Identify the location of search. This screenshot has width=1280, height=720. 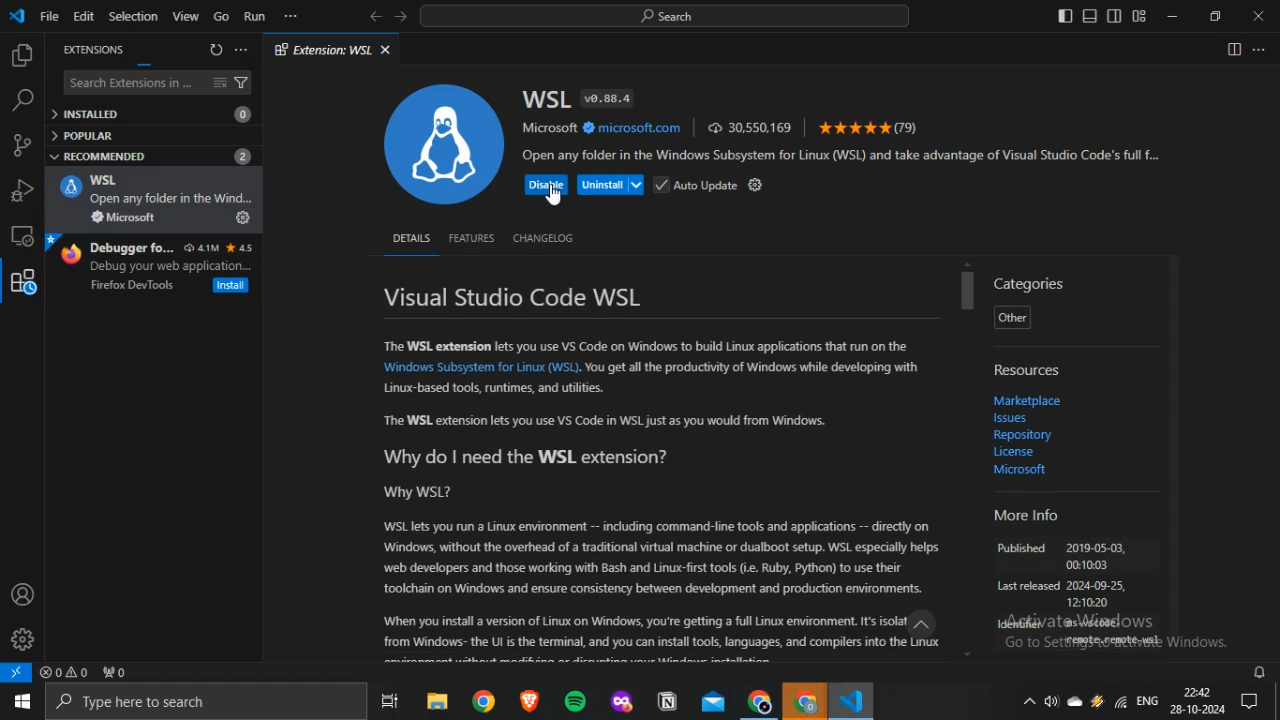
(22, 101).